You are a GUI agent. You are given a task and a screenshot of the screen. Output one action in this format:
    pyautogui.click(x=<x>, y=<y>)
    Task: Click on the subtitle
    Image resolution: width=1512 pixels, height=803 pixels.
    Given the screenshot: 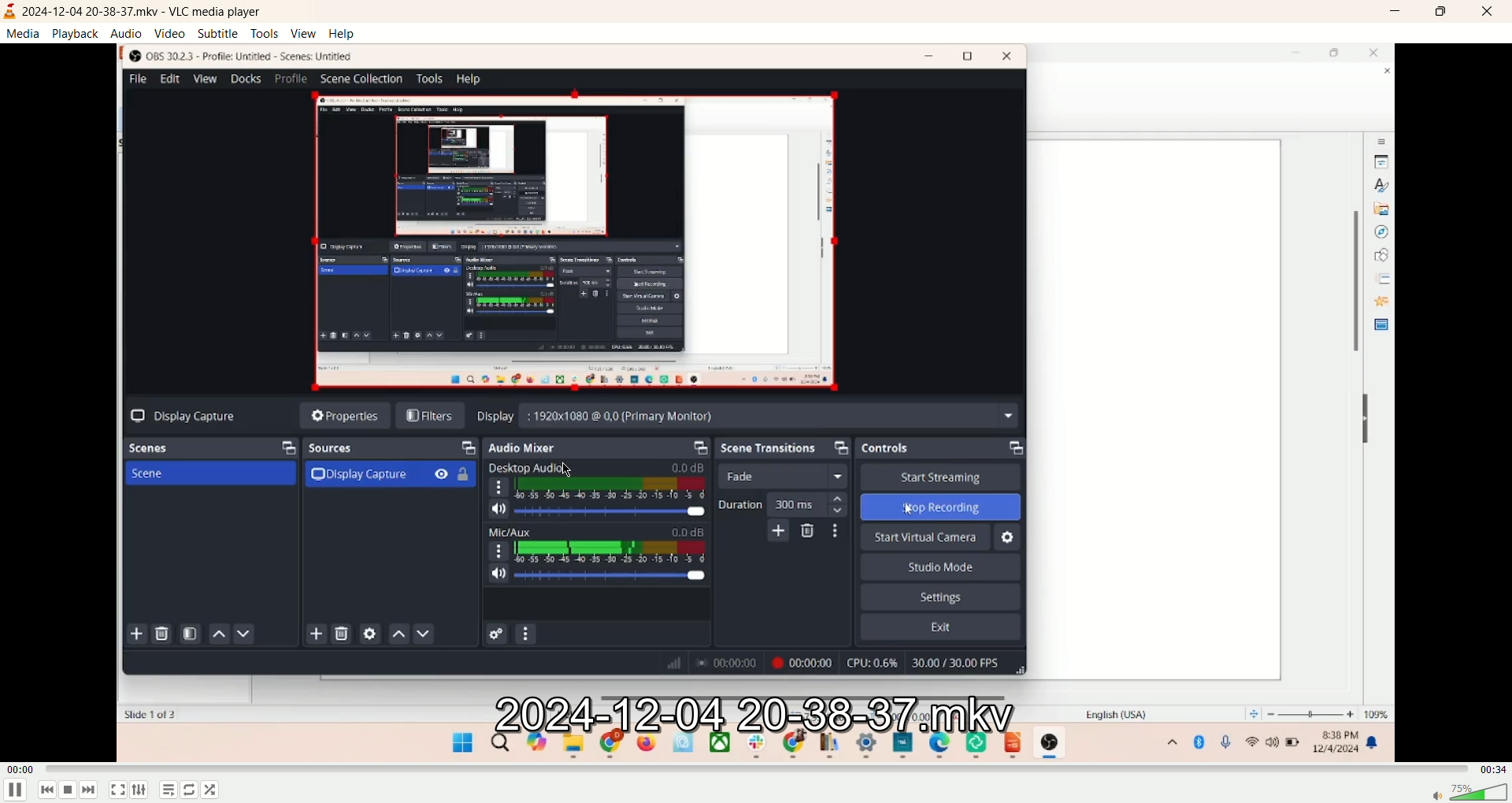 What is the action you would take?
    pyautogui.click(x=217, y=32)
    